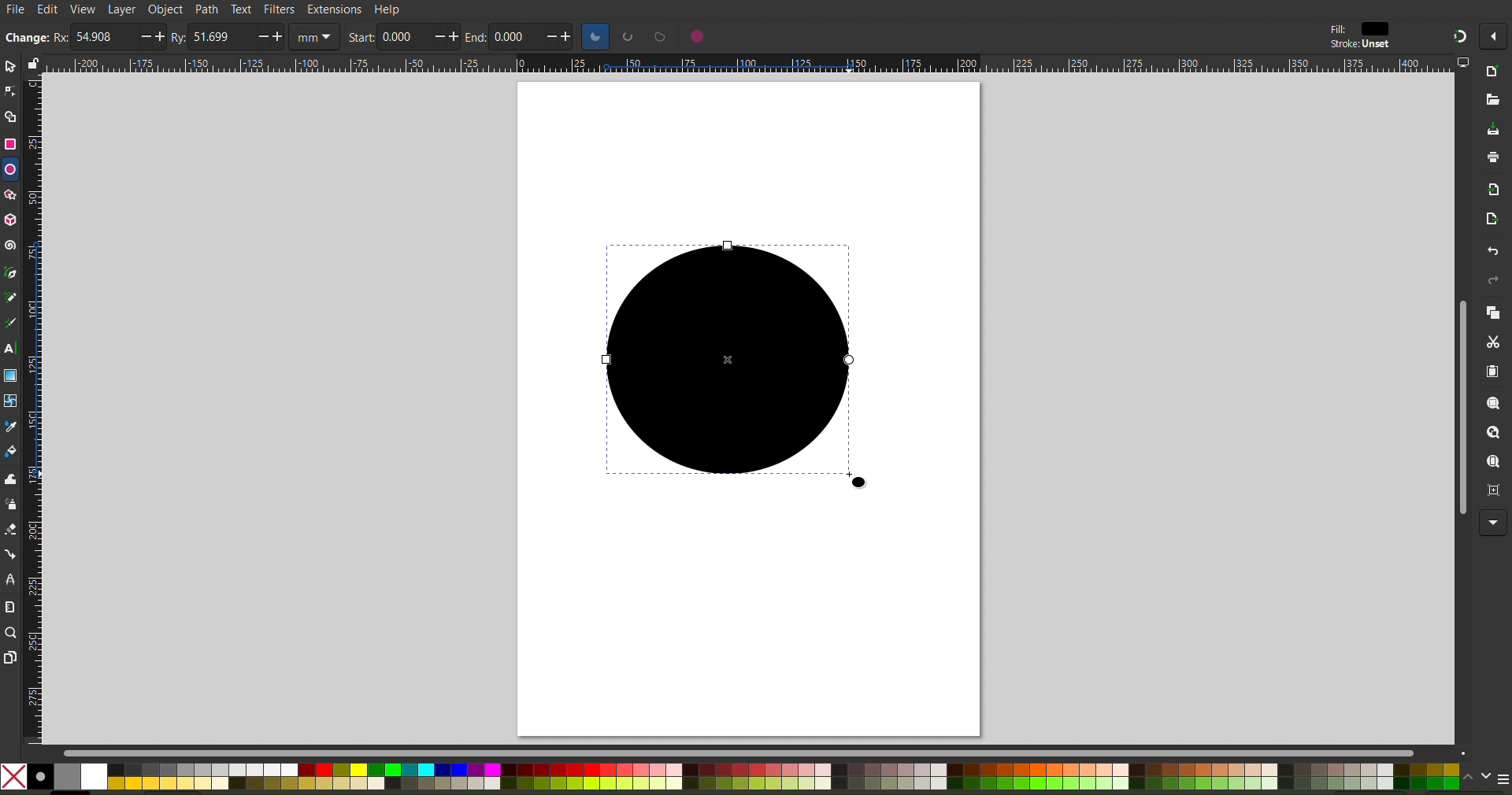 The image size is (1512, 795). What do you see at coordinates (278, 9) in the screenshot?
I see `Filters` at bounding box center [278, 9].